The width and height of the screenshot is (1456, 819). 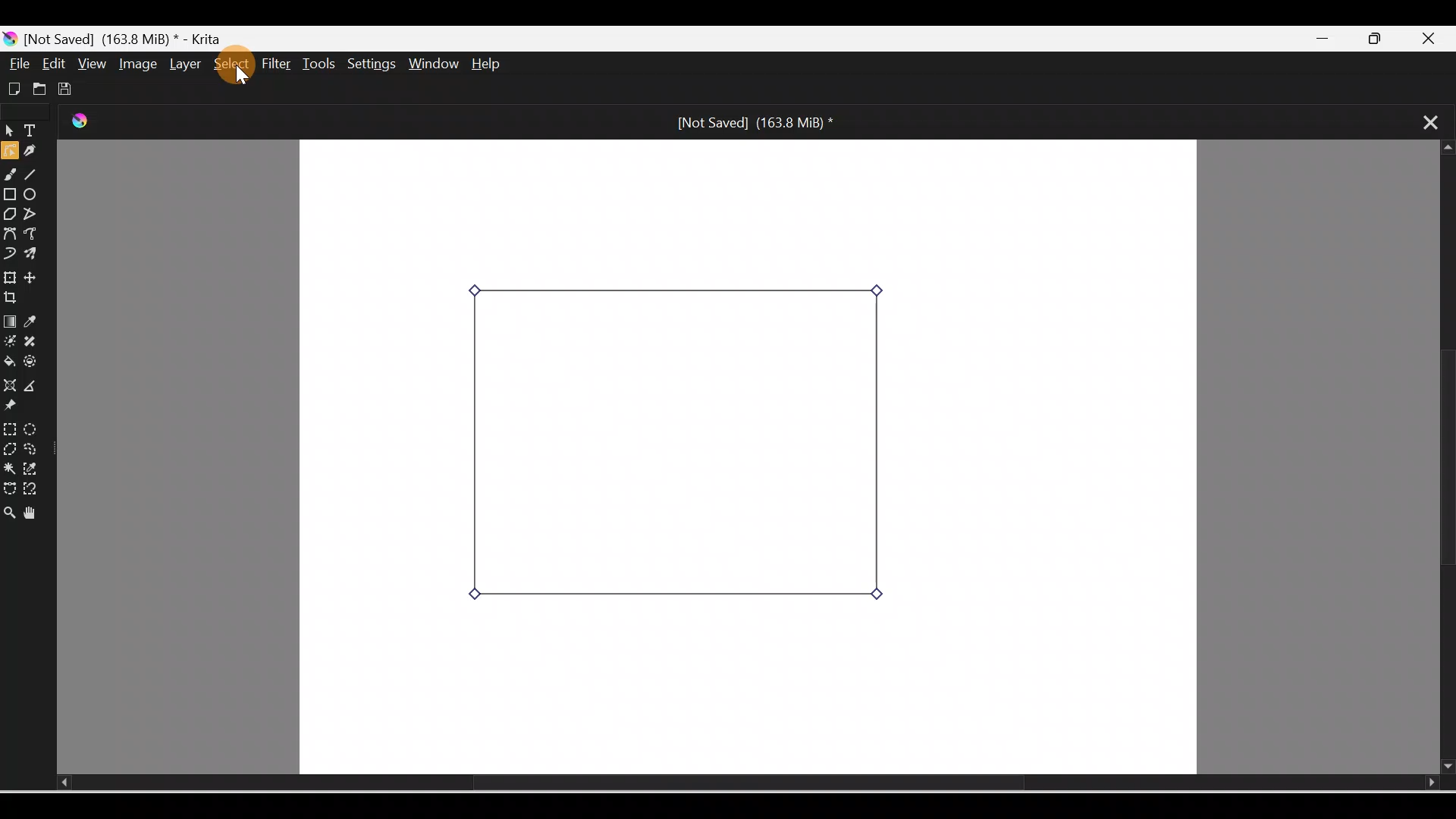 I want to click on Reference images tool, so click(x=19, y=408).